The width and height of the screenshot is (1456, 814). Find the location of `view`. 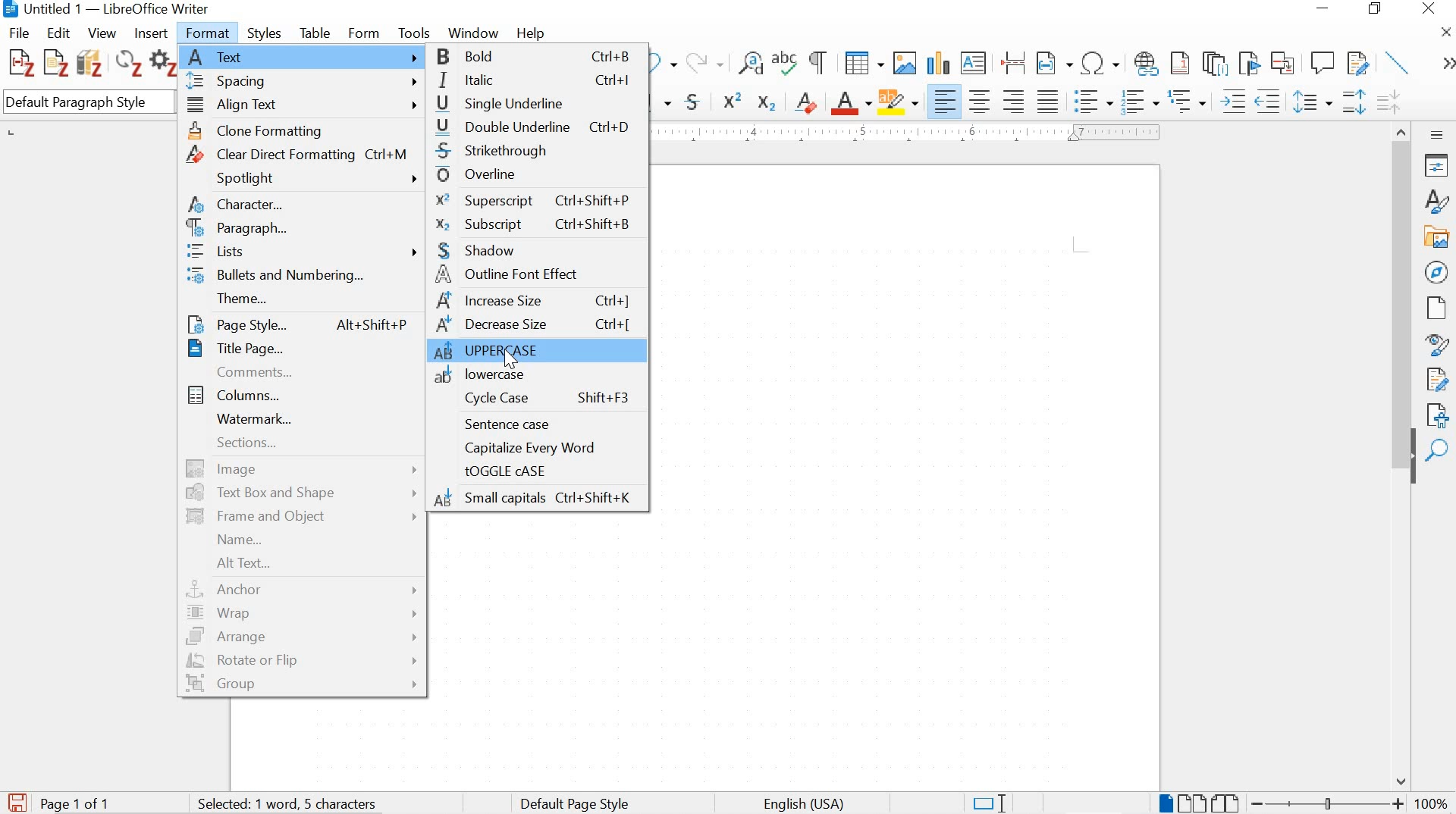

view is located at coordinates (101, 33).